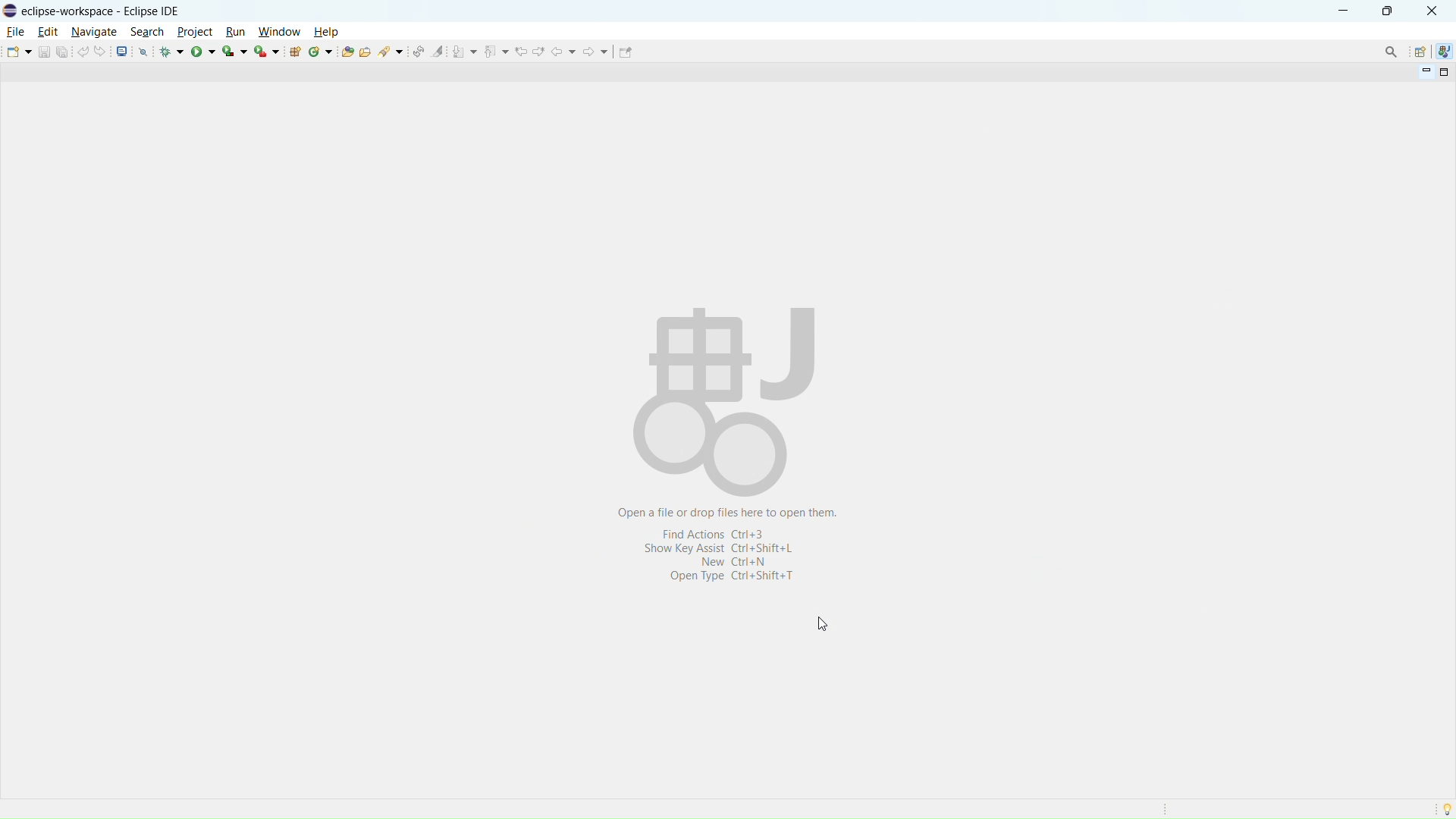 The image size is (1456, 819). What do you see at coordinates (564, 52) in the screenshot?
I see `back` at bounding box center [564, 52].